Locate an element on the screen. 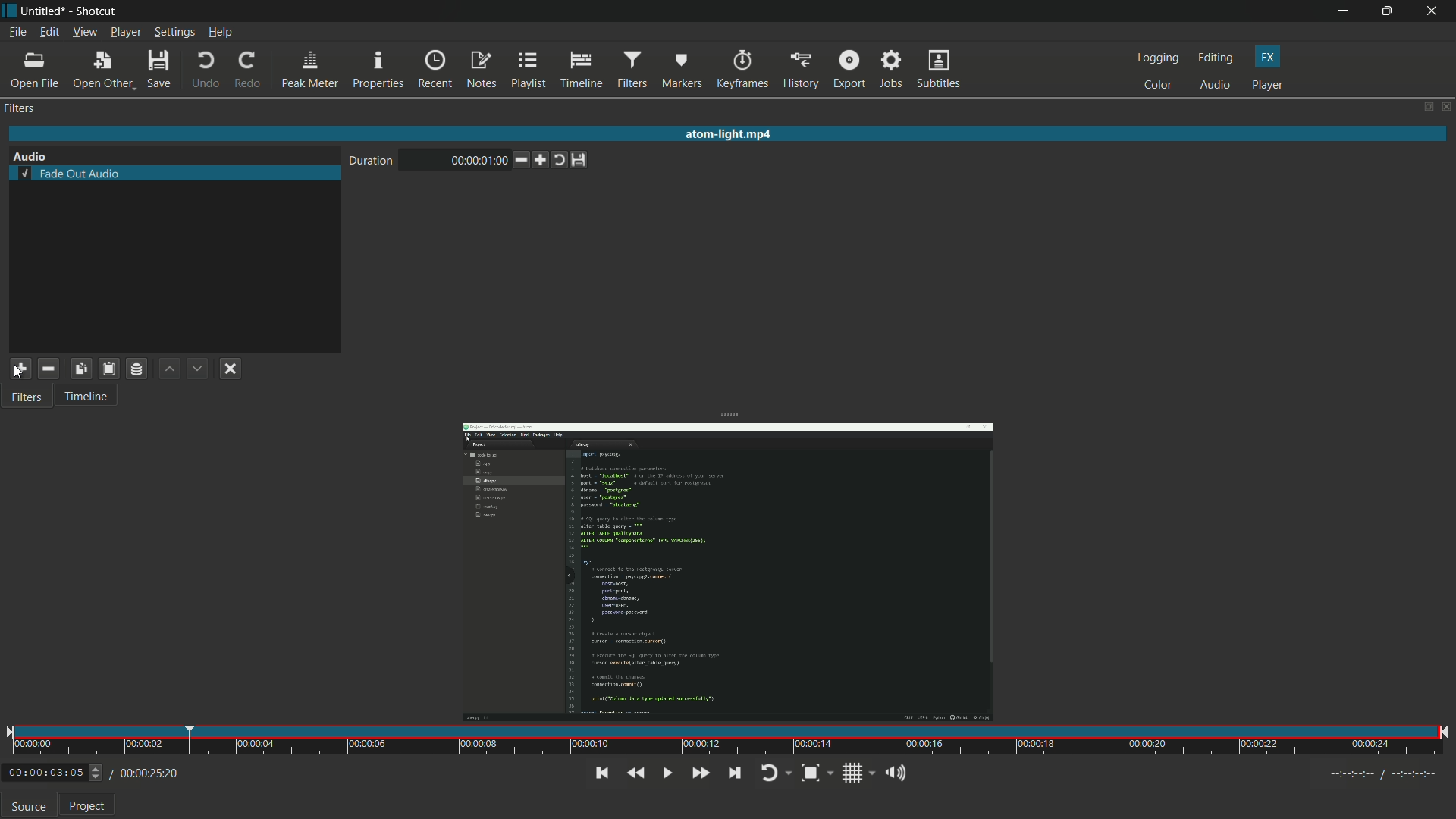 The image size is (1456, 819). set as default is located at coordinates (565, 160).